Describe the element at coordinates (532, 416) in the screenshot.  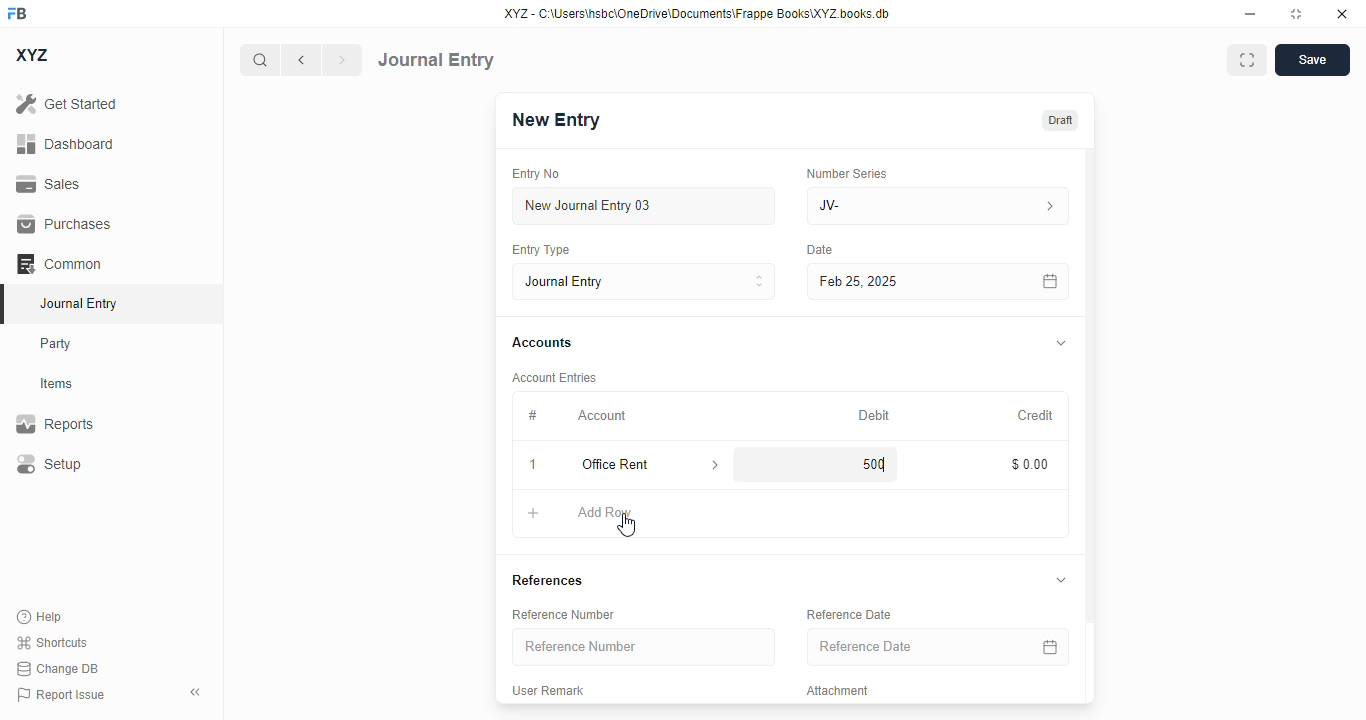
I see `#` at that location.